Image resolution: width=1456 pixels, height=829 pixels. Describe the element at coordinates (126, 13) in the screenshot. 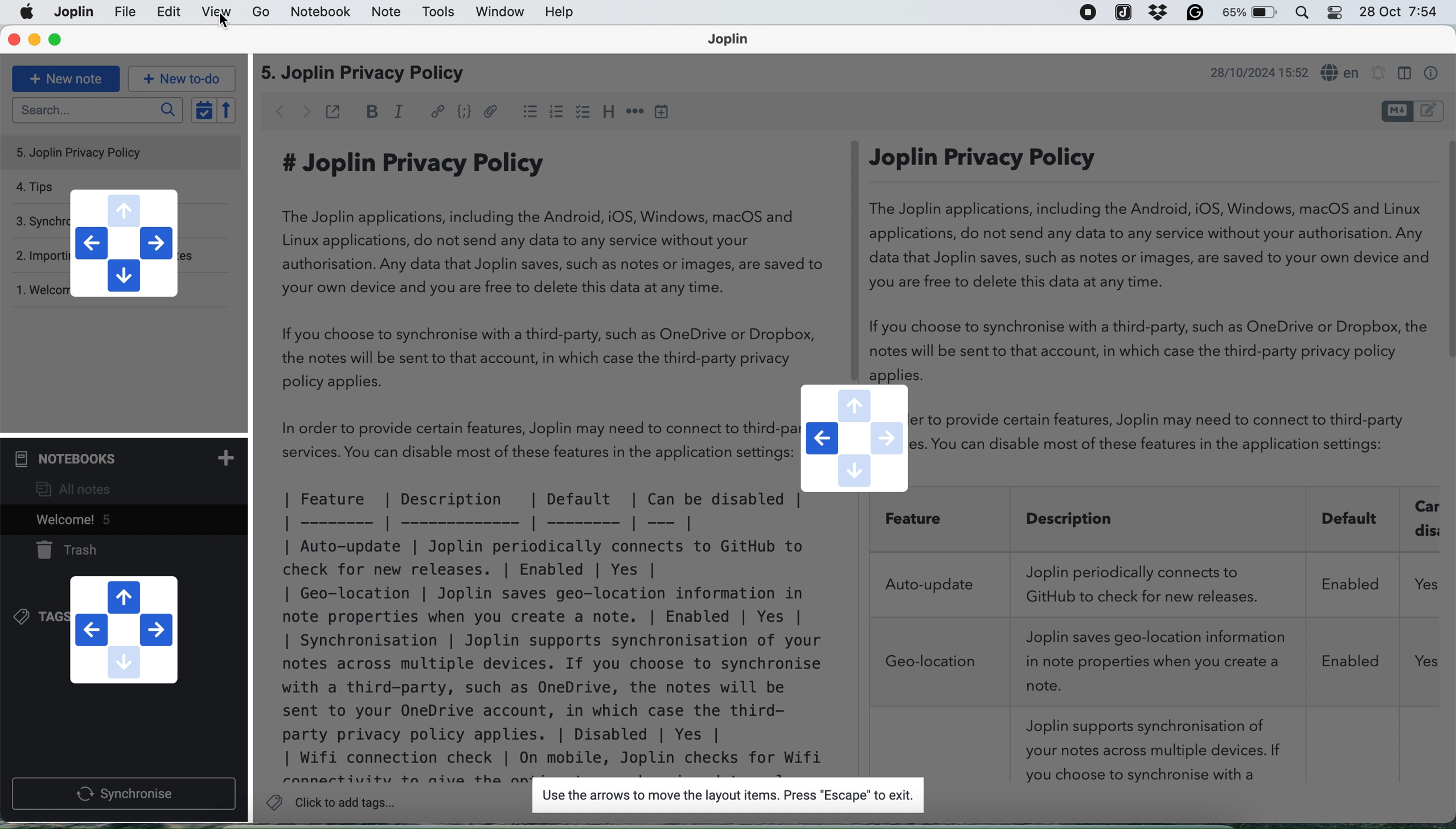

I see `joplin` at that location.